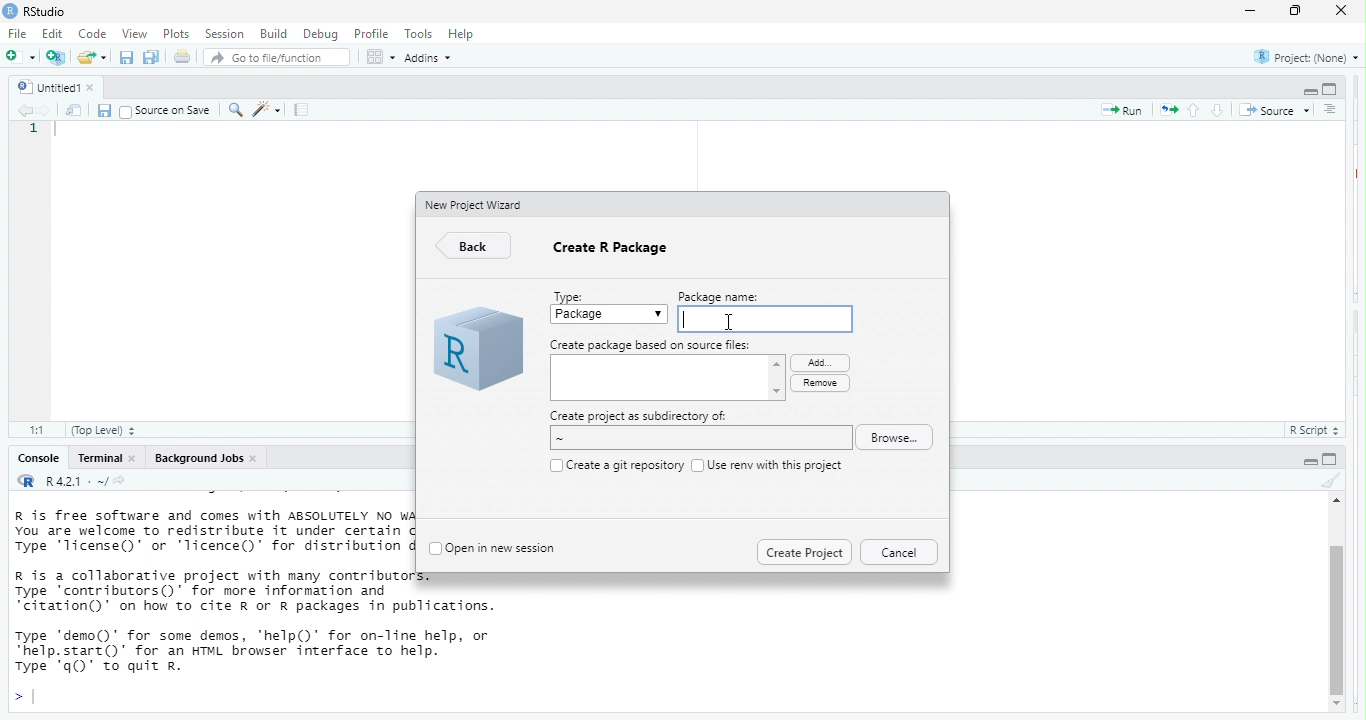 The height and width of the screenshot is (720, 1366). What do you see at coordinates (61, 134) in the screenshot?
I see `typing cursor` at bounding box center [61, 134].